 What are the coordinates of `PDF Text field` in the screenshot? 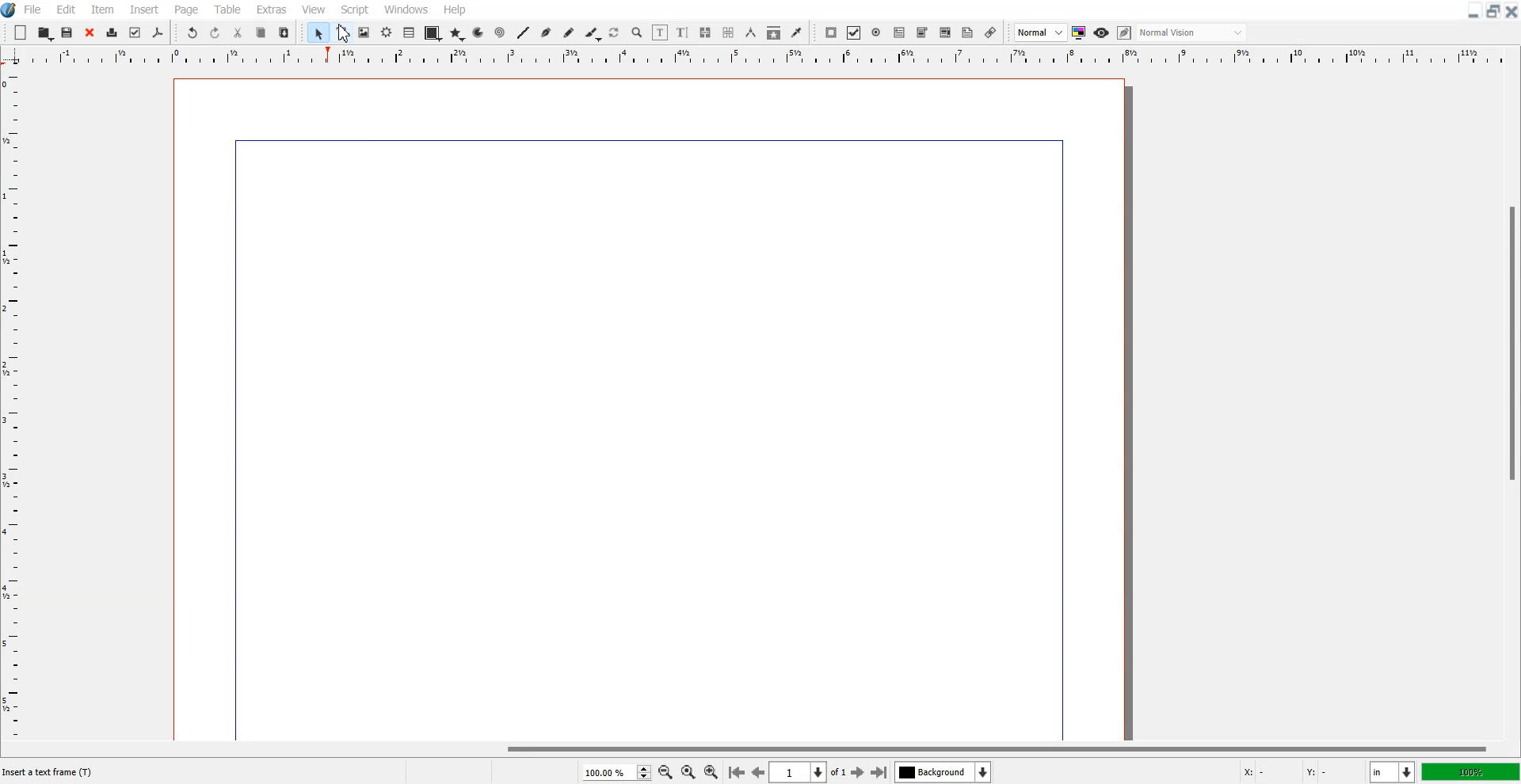 It's located at (922, 33).